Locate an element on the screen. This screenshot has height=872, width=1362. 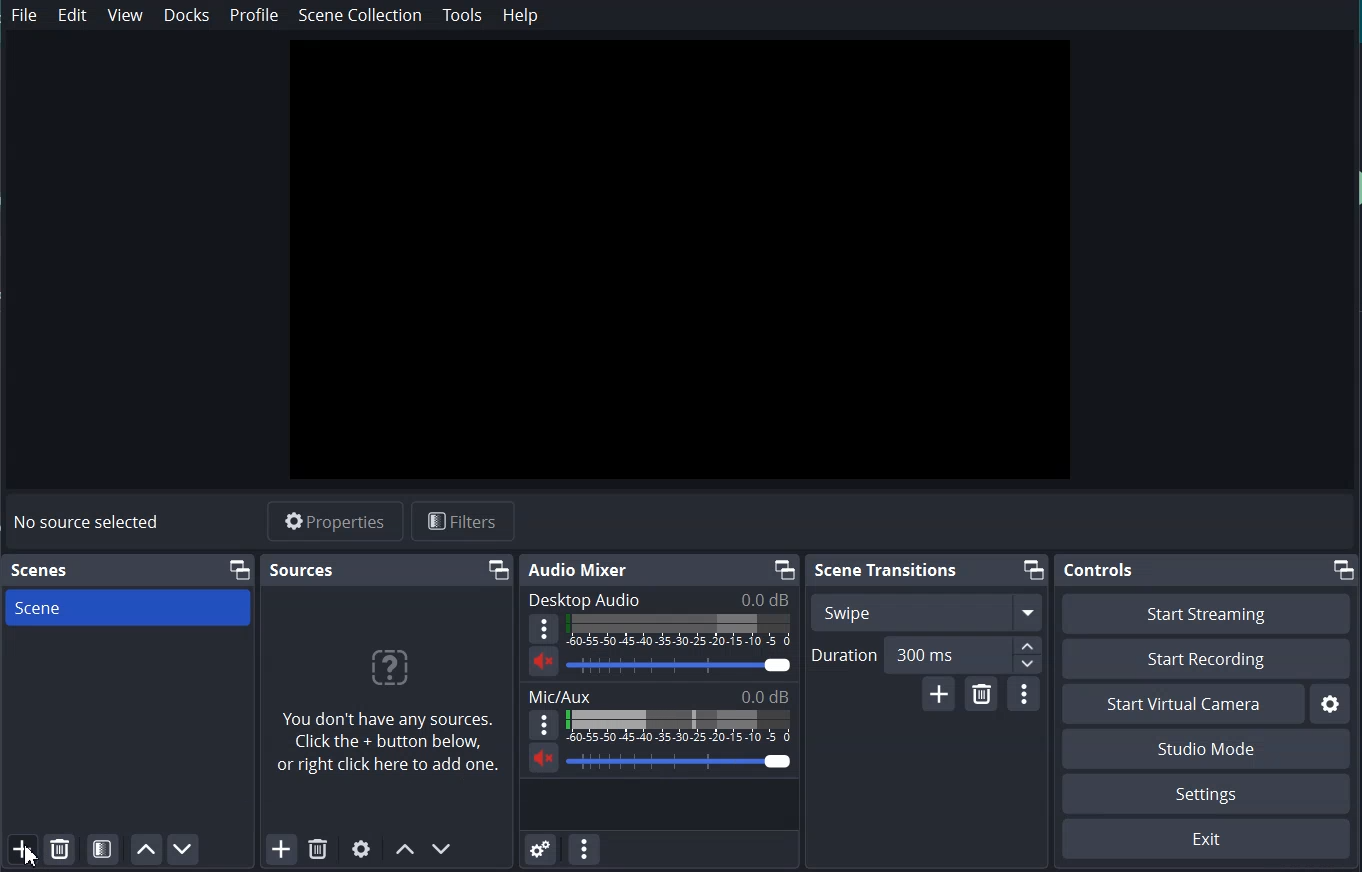
Volume Adjuster is located at coordinates (683, 761).